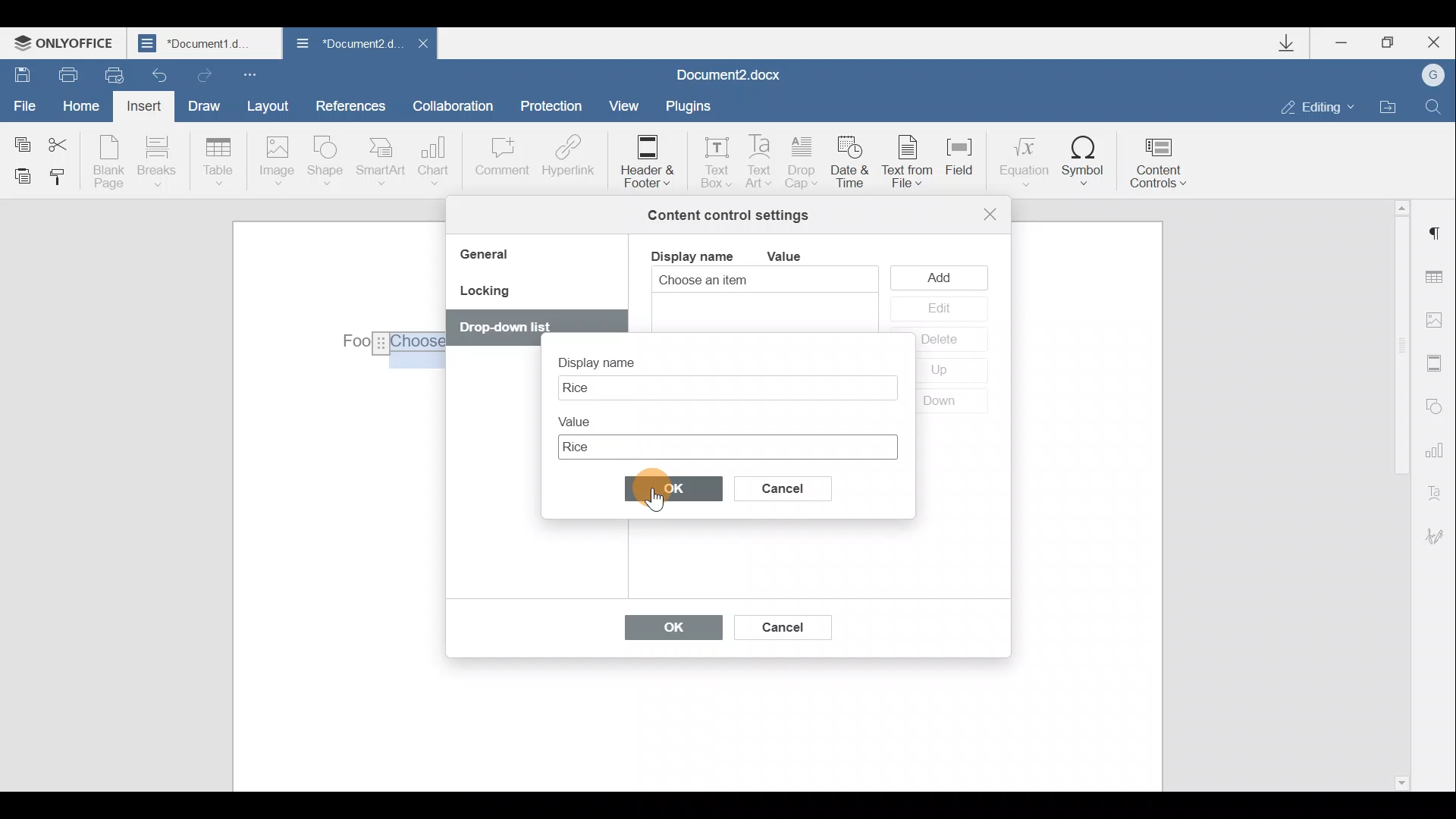 This screenshot has height=819, width=1456. What do you see at coordinates (1292, 43) in the screenshot?
I see `Downloads` at bounding box center [1292, 43].